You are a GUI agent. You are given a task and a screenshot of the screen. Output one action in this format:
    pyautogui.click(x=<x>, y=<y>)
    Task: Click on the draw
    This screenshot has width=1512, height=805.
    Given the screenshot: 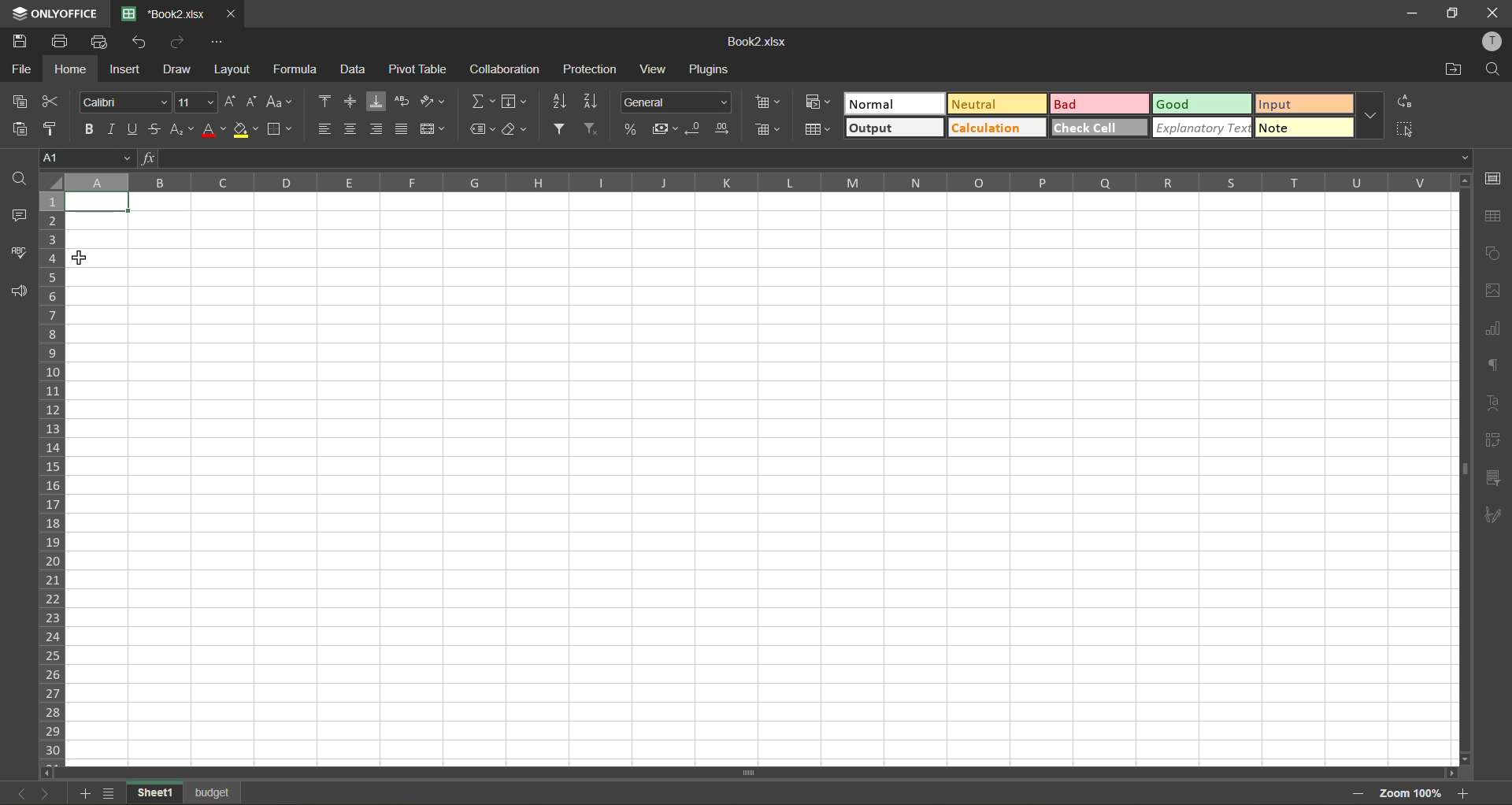 What is the action you would take?
    pyautogui.click(x=180, y=72)
    